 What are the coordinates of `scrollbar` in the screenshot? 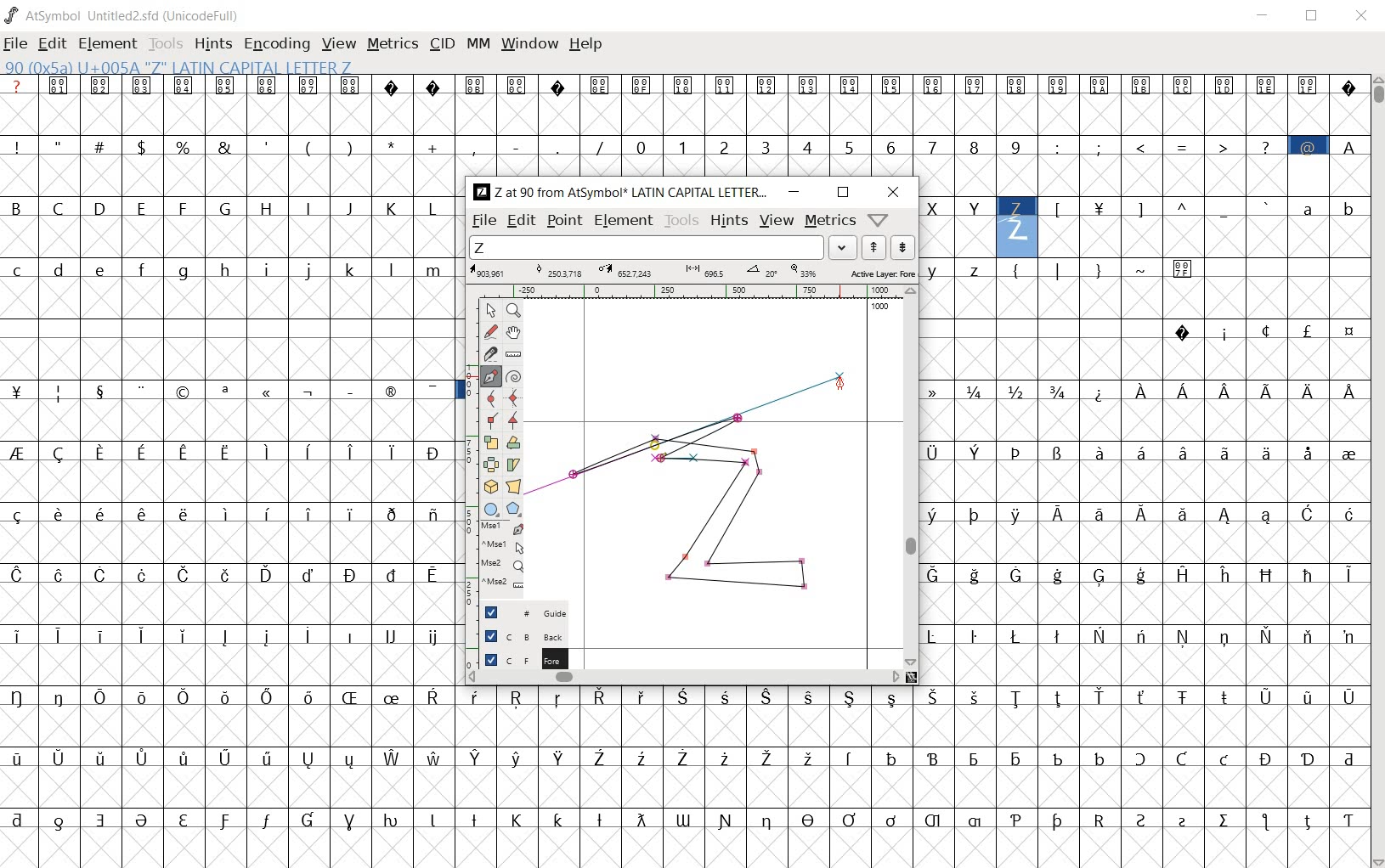 It's located at (685, 679).